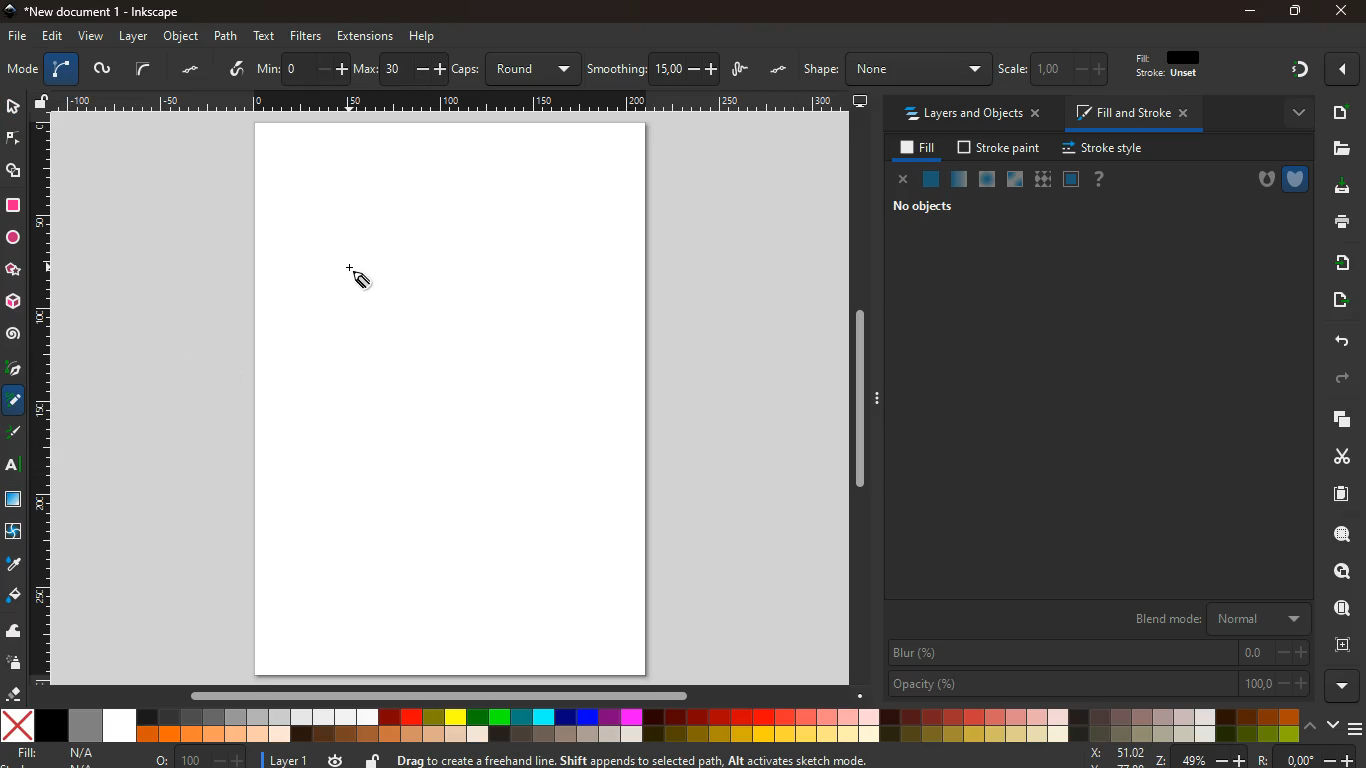  What do you see at coordinates (1343, 11) in the screenshot?
I see `close` at bounding box center [1343, 11].